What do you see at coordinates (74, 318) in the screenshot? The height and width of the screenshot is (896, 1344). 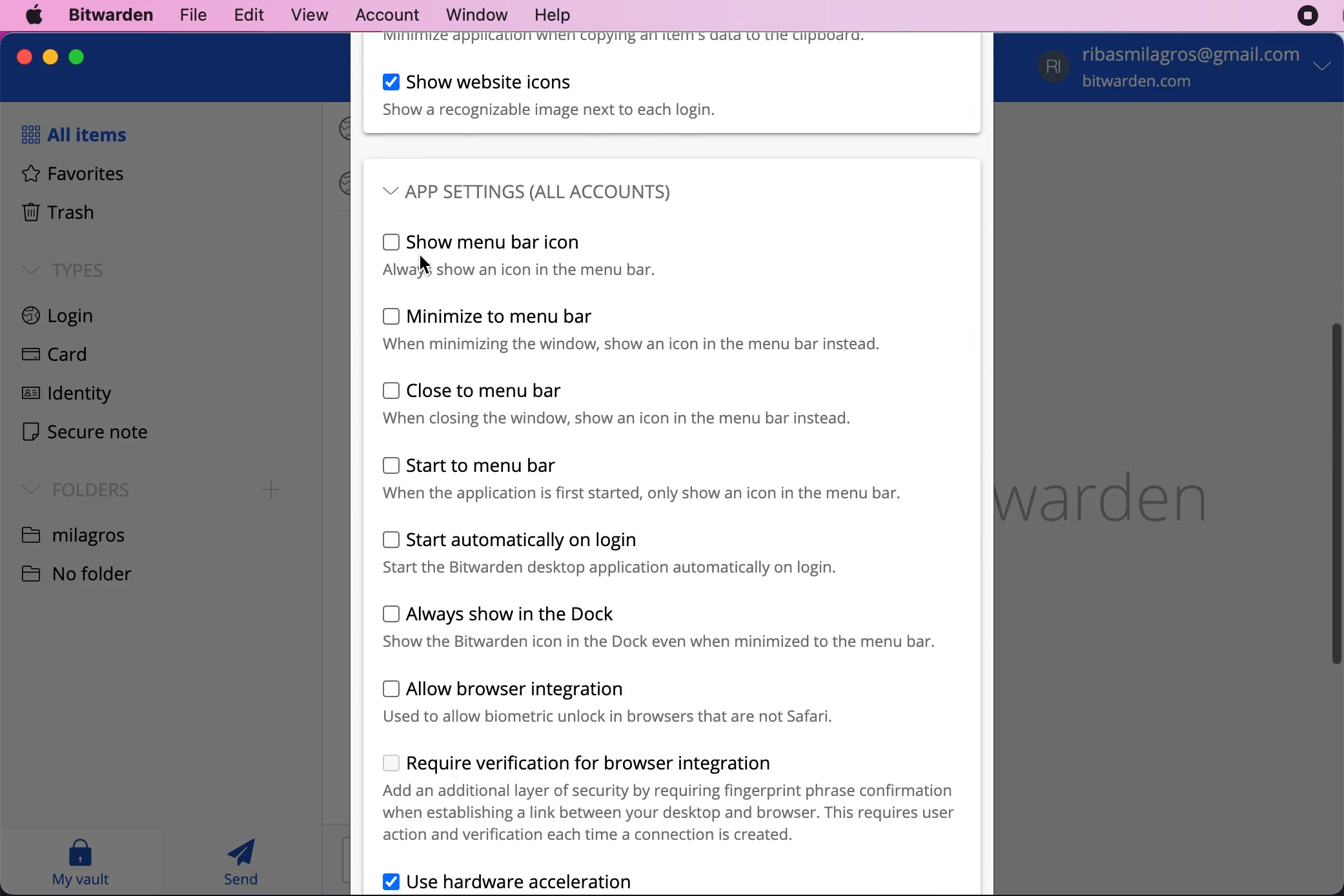 I see `login` at bounding box center [74, 318].